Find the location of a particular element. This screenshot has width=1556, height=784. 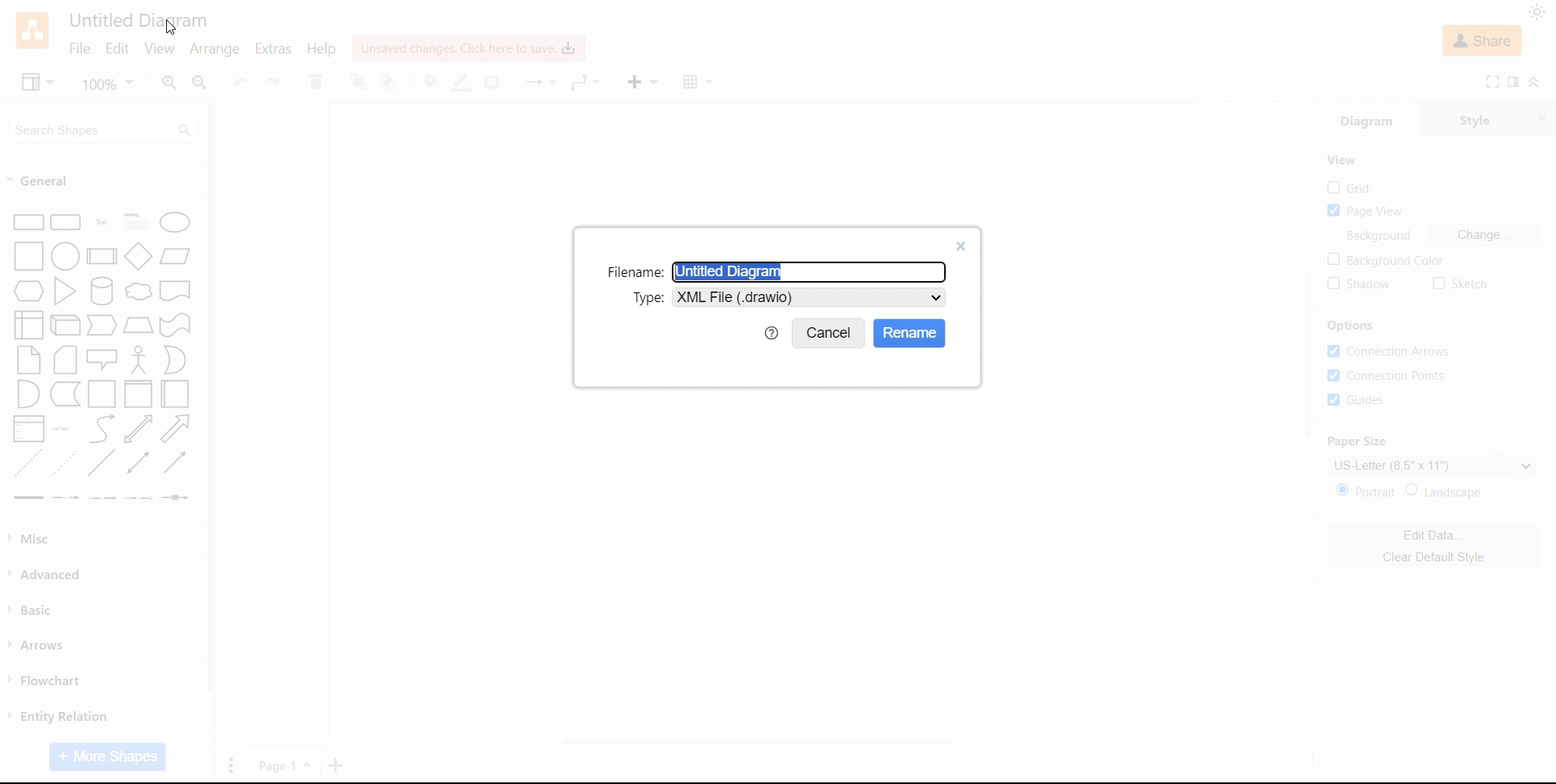

Select theme  is located at coordinates (1537, 12).